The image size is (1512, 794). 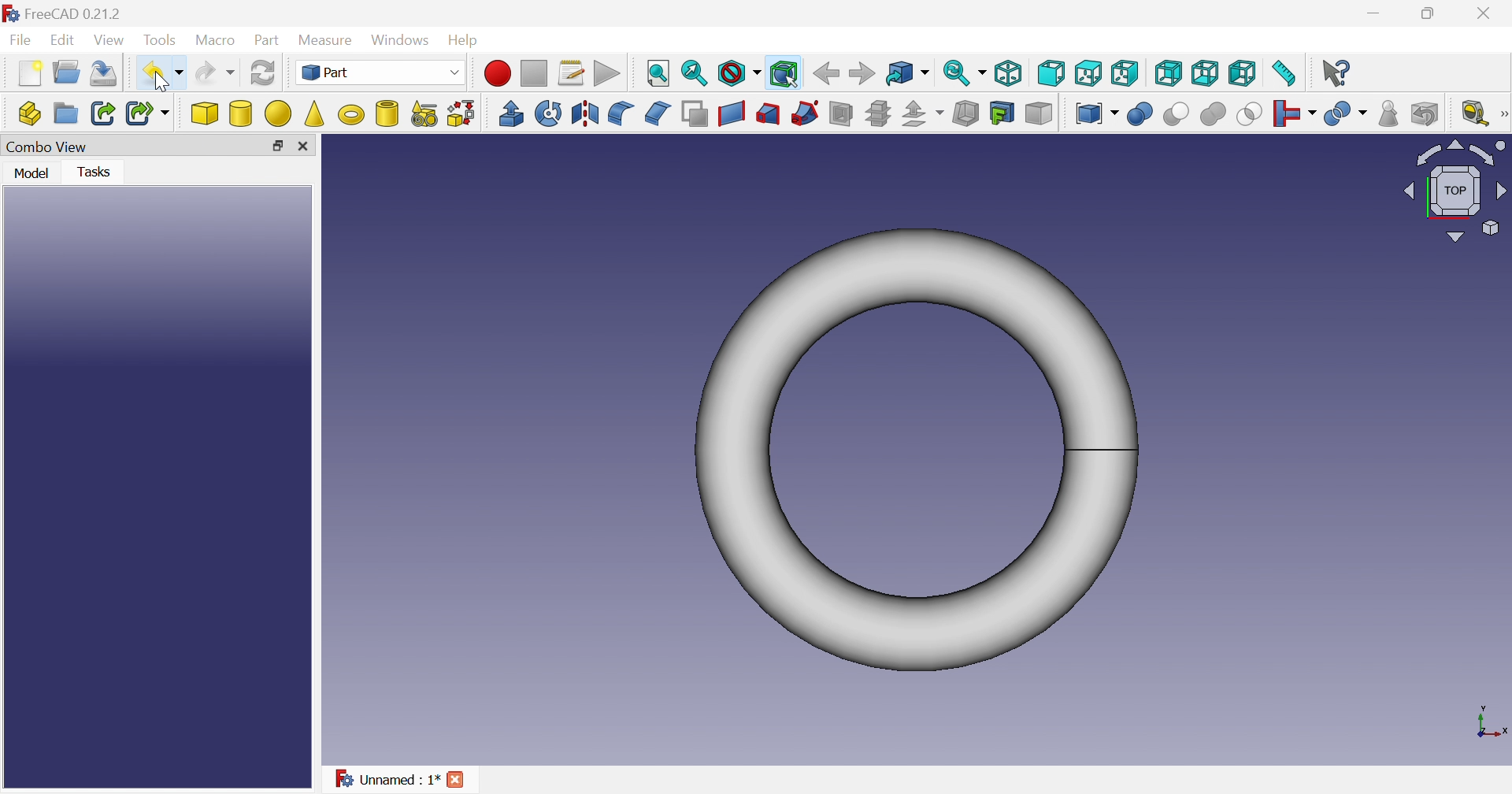 I want to click on Cut, so click(x=1177, y=116).